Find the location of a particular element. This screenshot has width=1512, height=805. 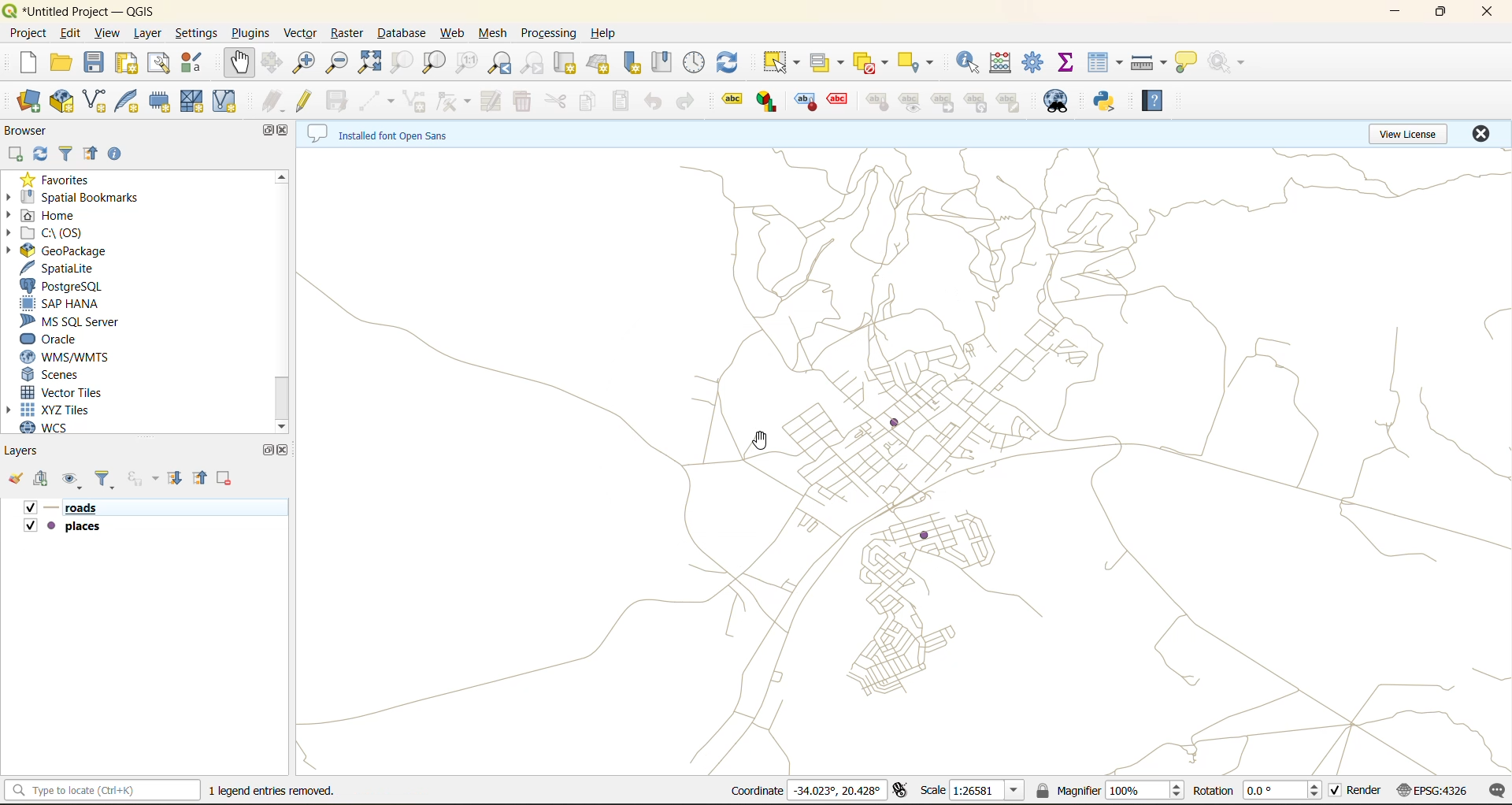

label tools is located at coordinates (876, 103).